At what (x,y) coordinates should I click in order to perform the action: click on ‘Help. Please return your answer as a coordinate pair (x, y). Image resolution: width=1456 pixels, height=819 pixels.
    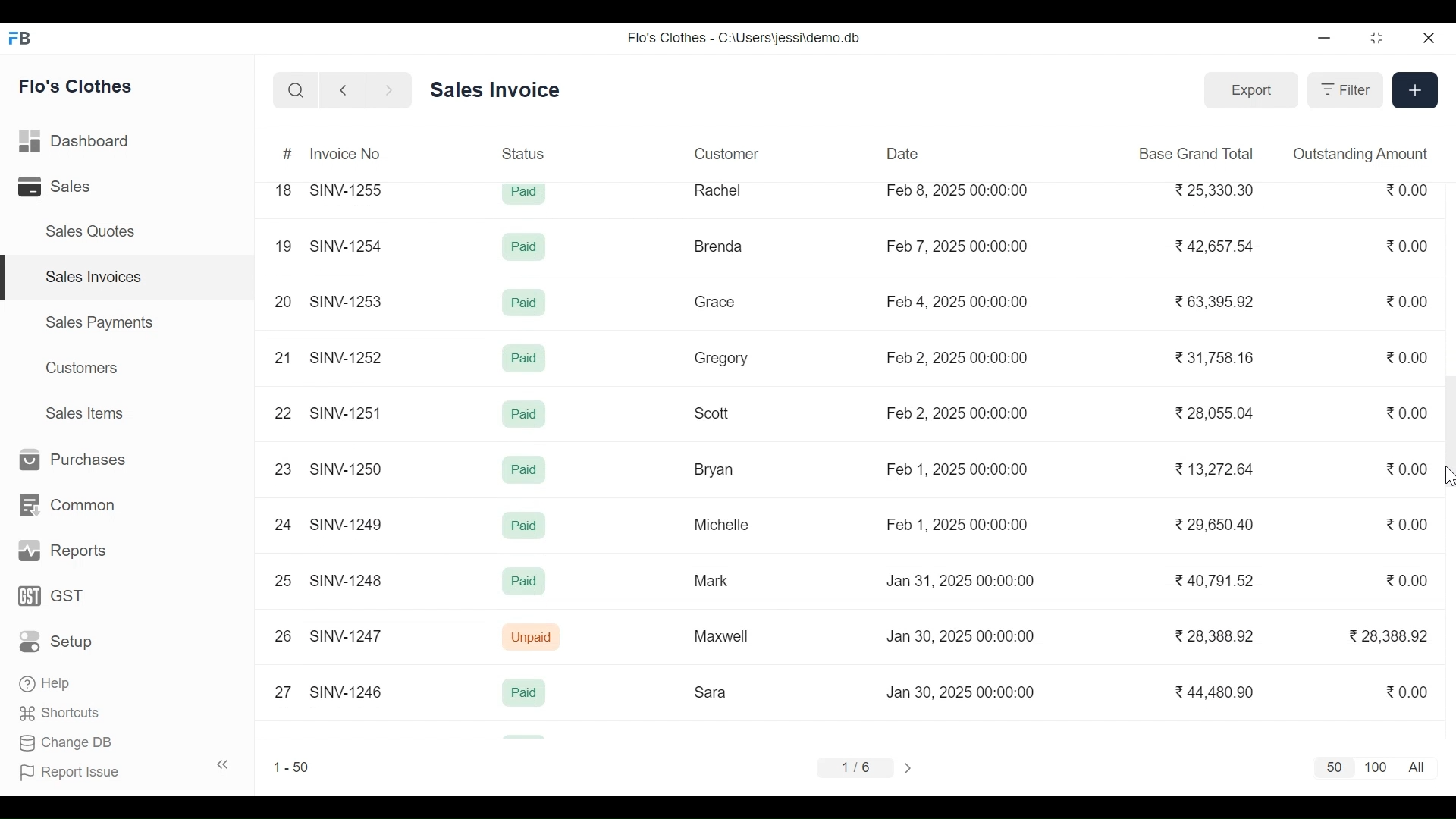
    Looking at the image, I should click on (48, 683).